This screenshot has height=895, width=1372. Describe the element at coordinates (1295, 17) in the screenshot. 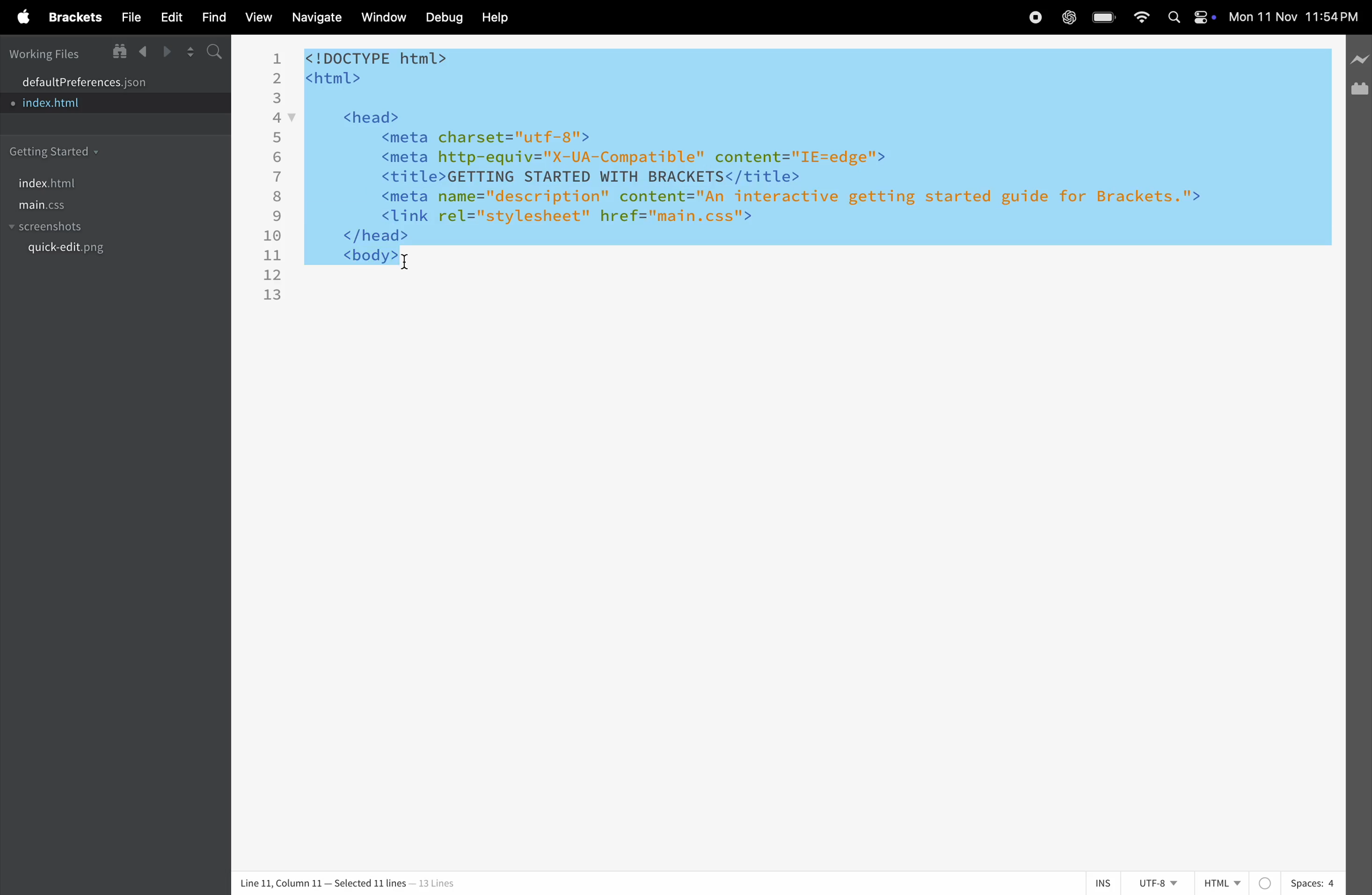

I see `time and date` at that location.